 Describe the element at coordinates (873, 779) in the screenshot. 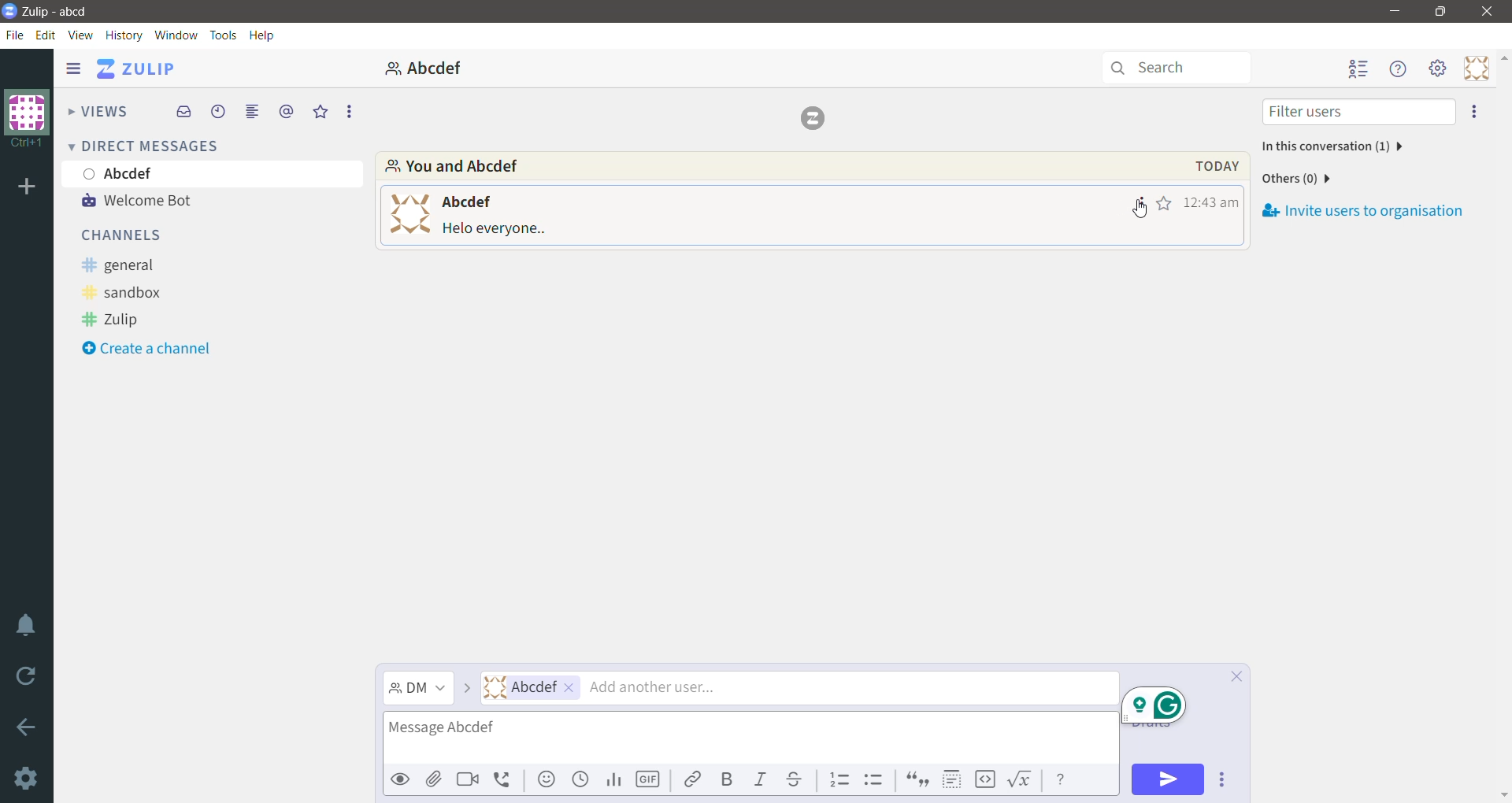

I see `Bulleted list` at that location.